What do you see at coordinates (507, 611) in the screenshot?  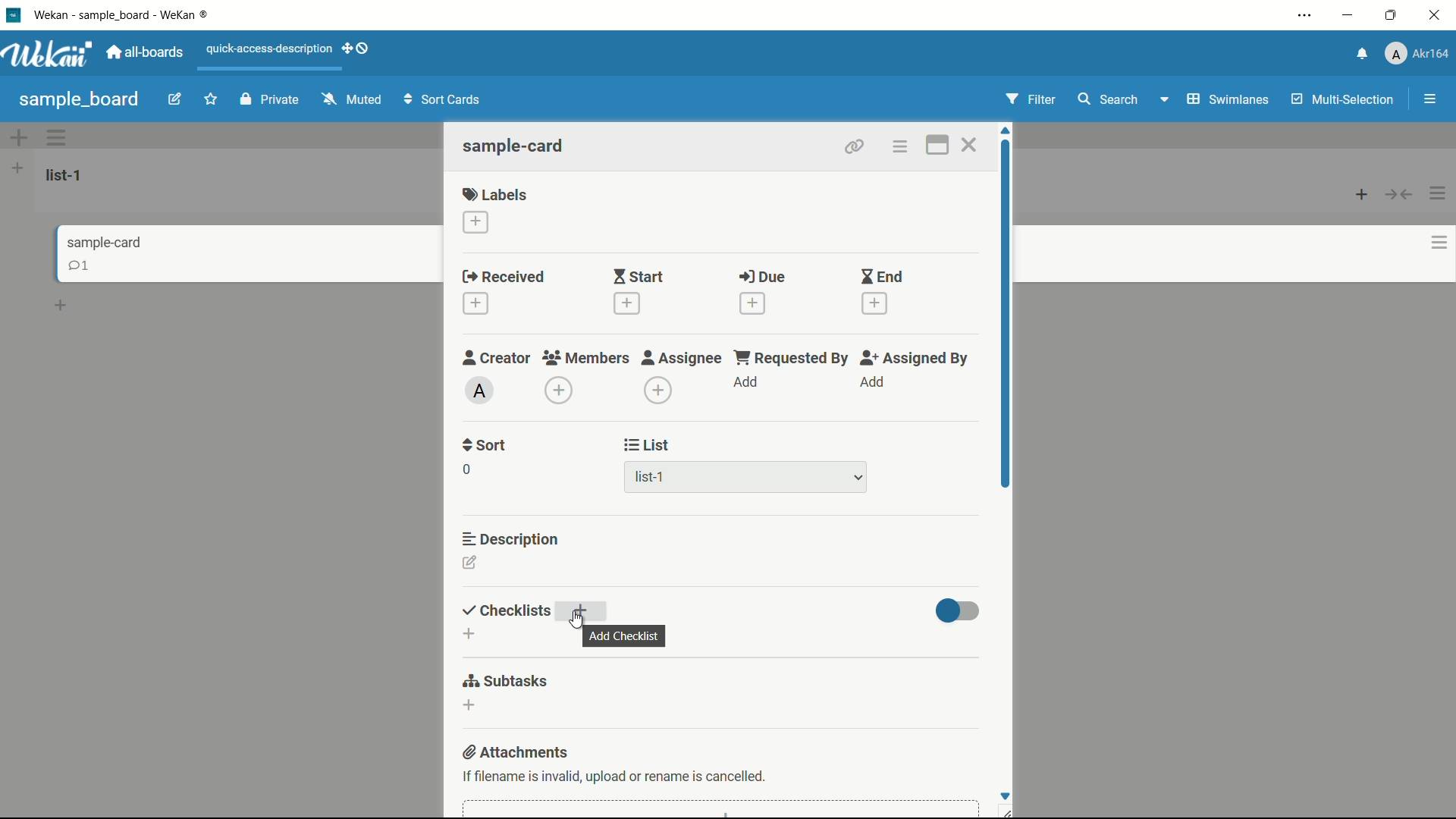 I see `checklists` at bounding box center [507, 611].